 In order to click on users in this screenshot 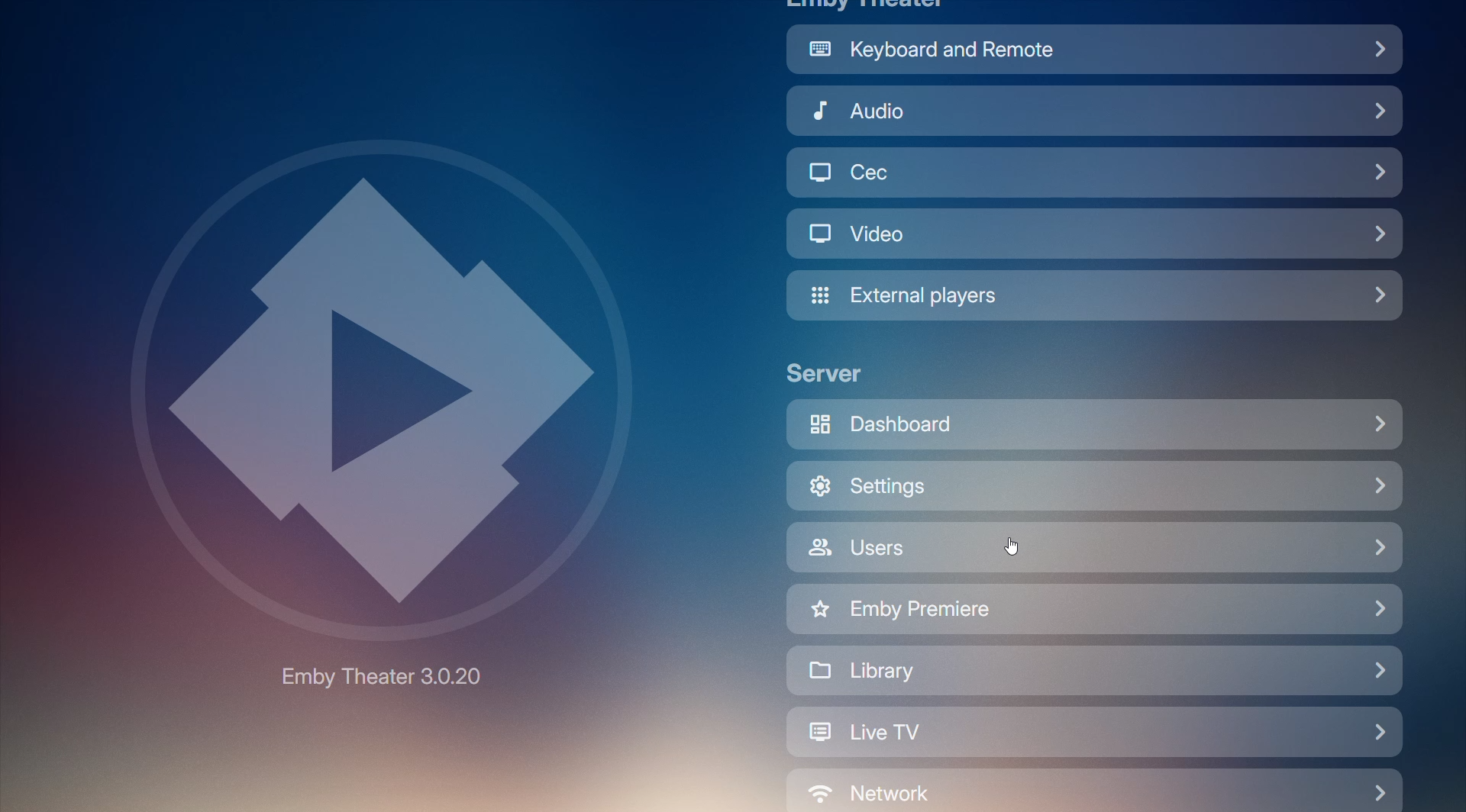, I will do `click(1096, 544)`.